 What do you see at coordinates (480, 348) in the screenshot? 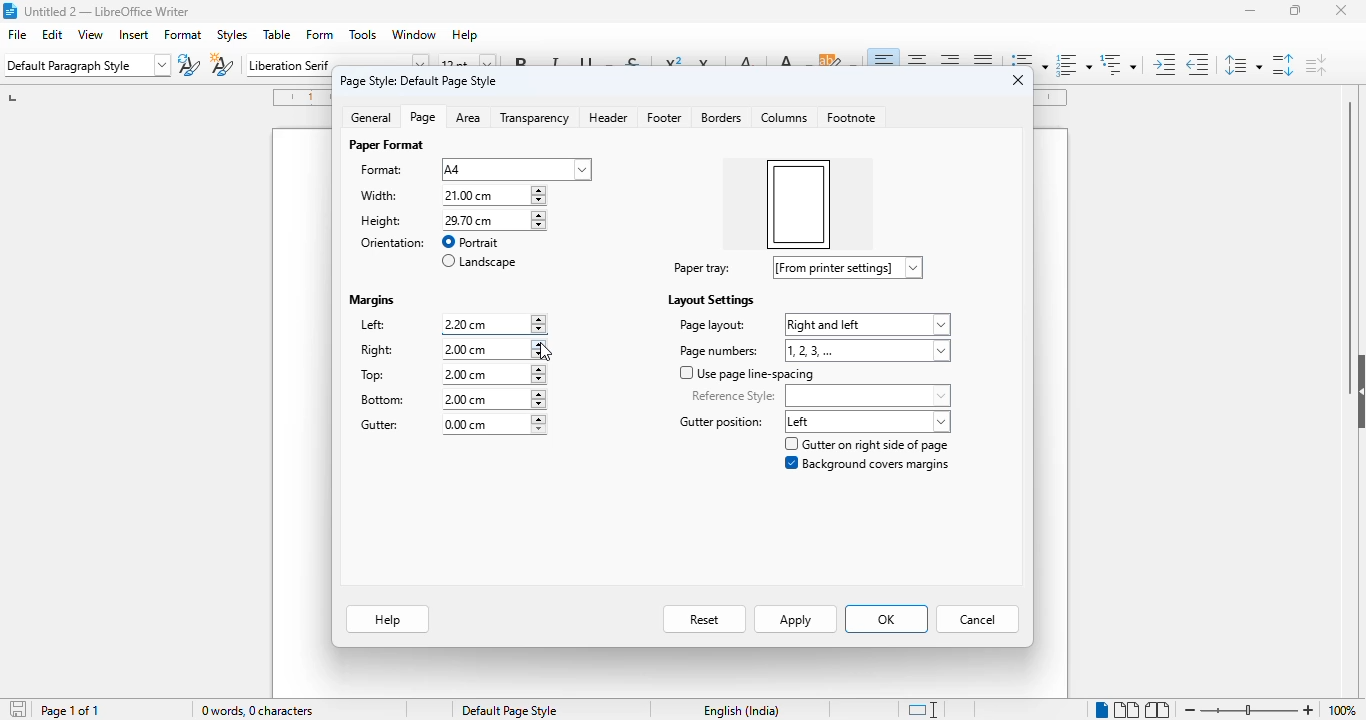
I see `right margin input box` at bounding box center [480, 348].